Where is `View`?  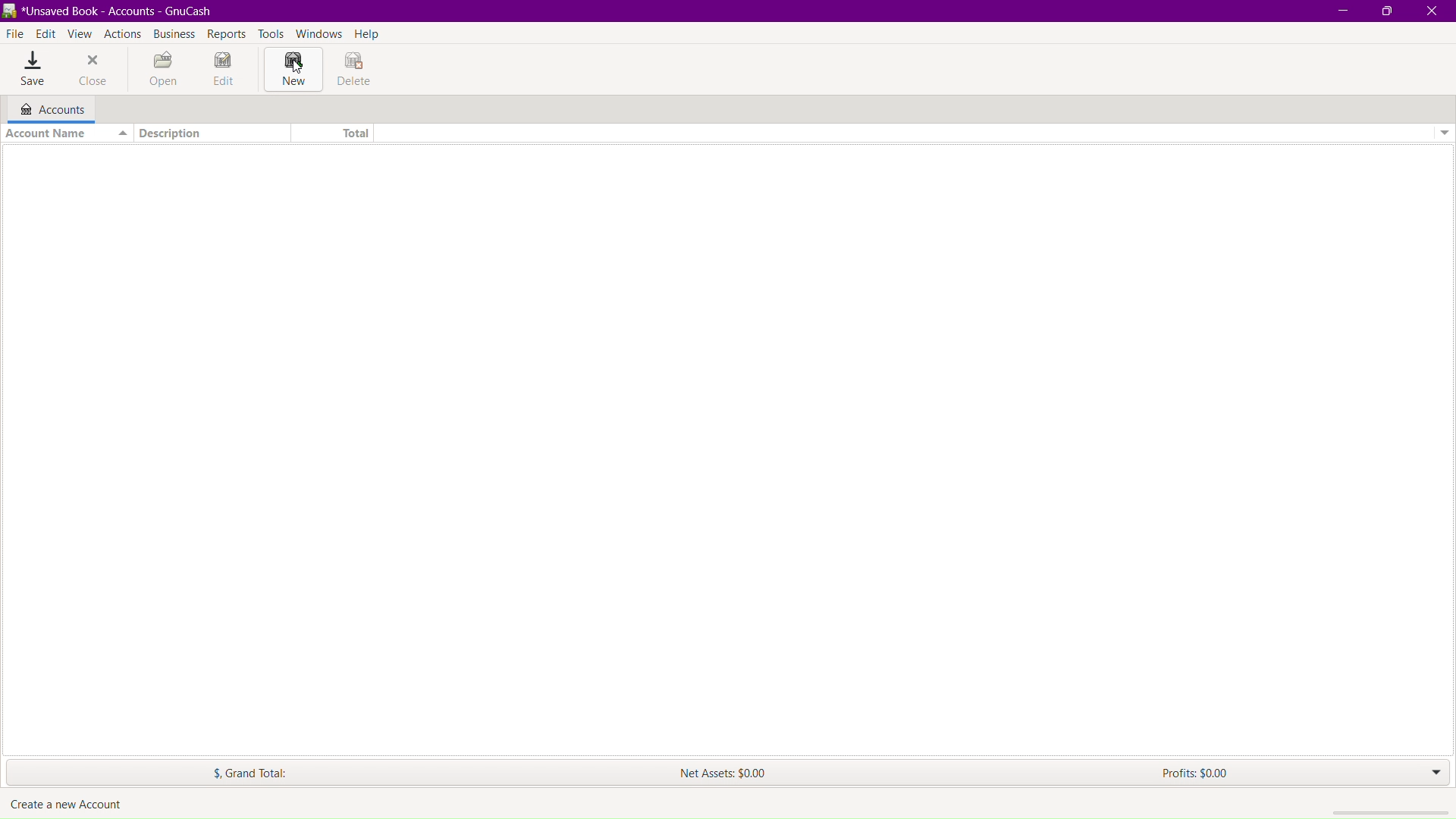 View is located at coordinates (83, 33).